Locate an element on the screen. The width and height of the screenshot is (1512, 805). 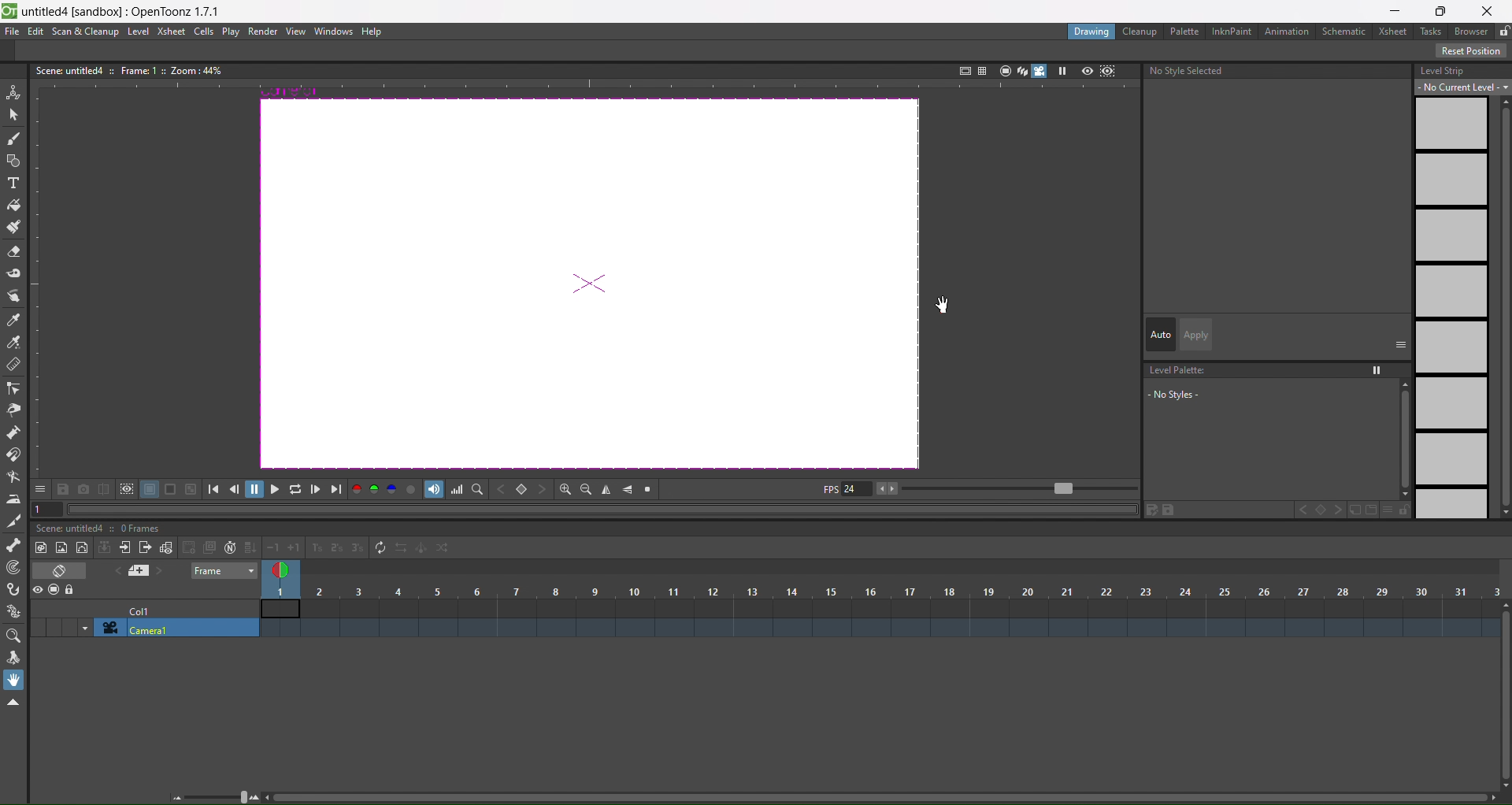
safe area is located at coordinates (963, 69).